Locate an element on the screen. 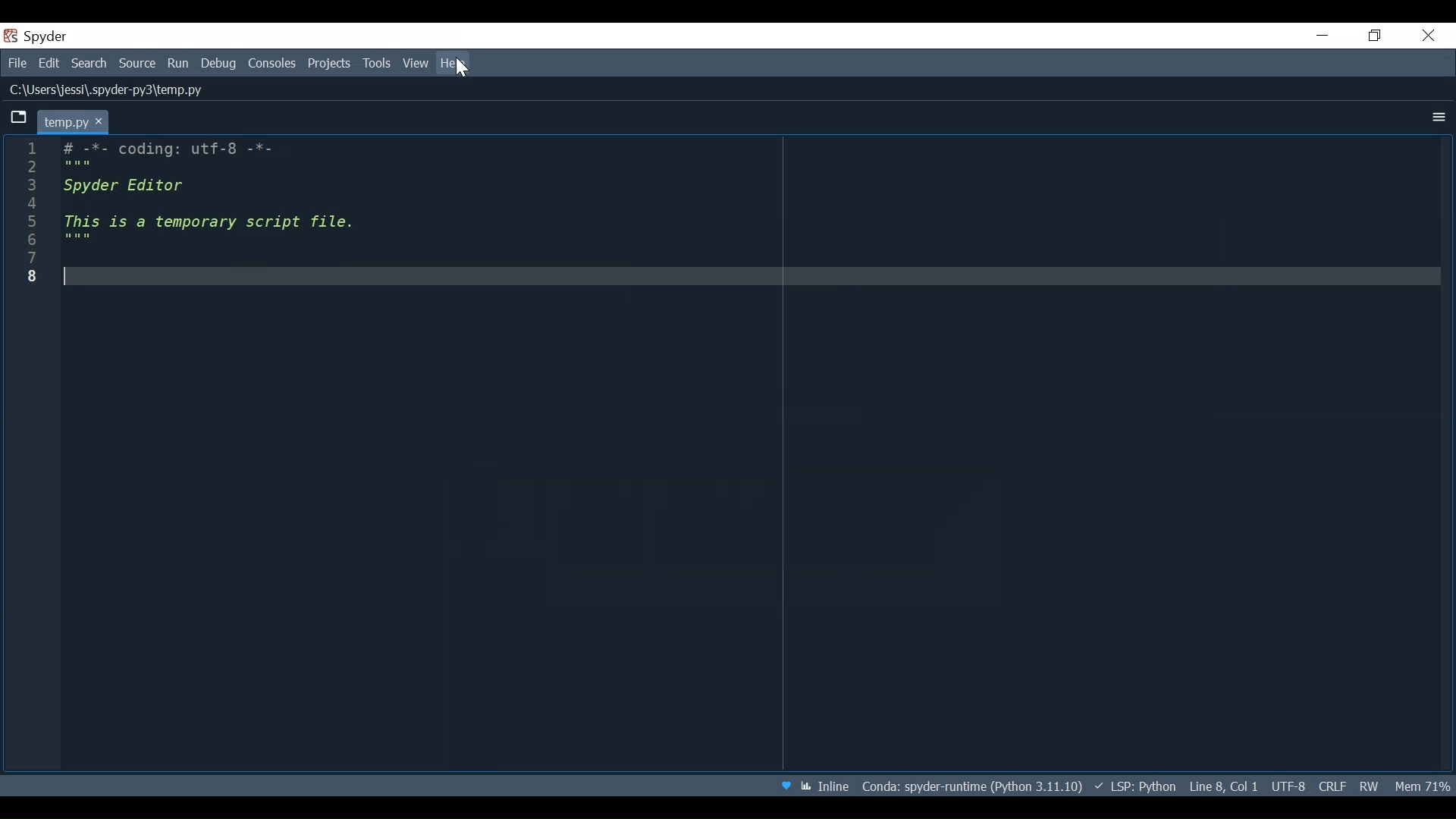 This screenshot has width=1456, height=819. More Options is located at coordinates (1436, 118).